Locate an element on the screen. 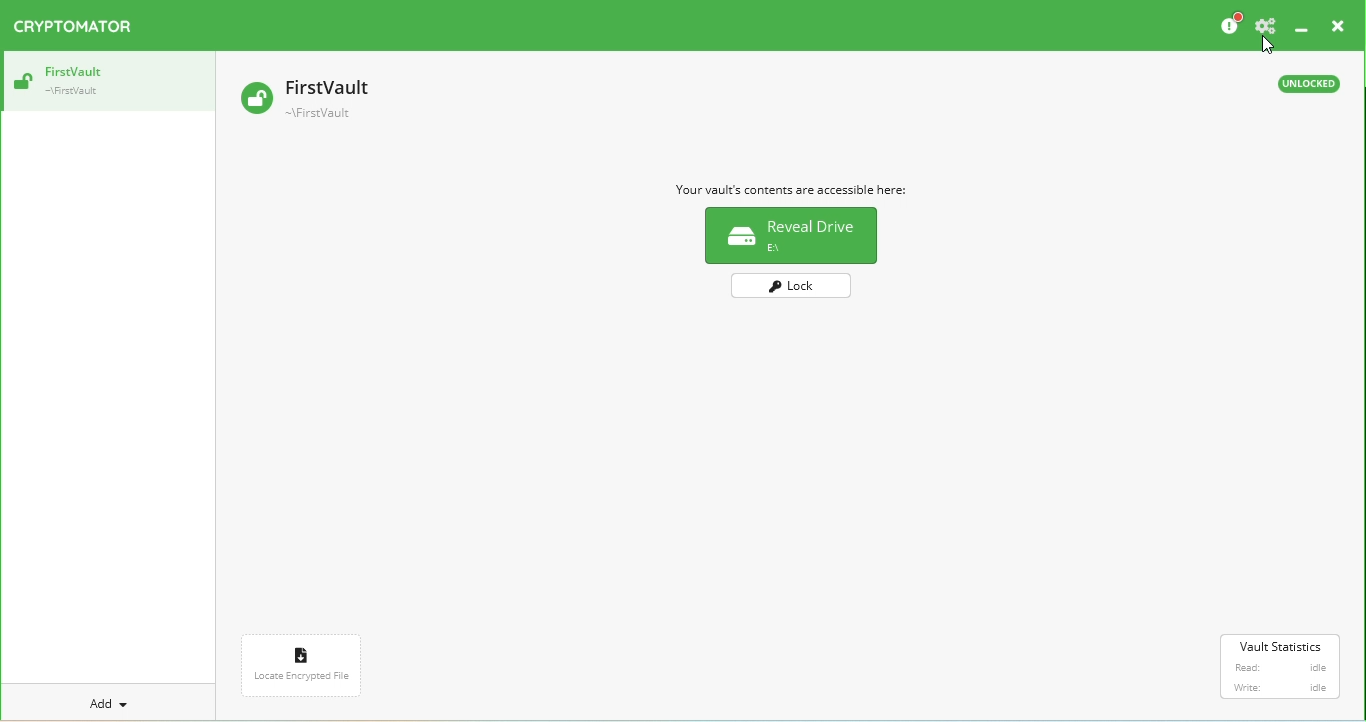 The height and width of the screenshot is (722, 1366). Close is located at coordinates (1335, 28).